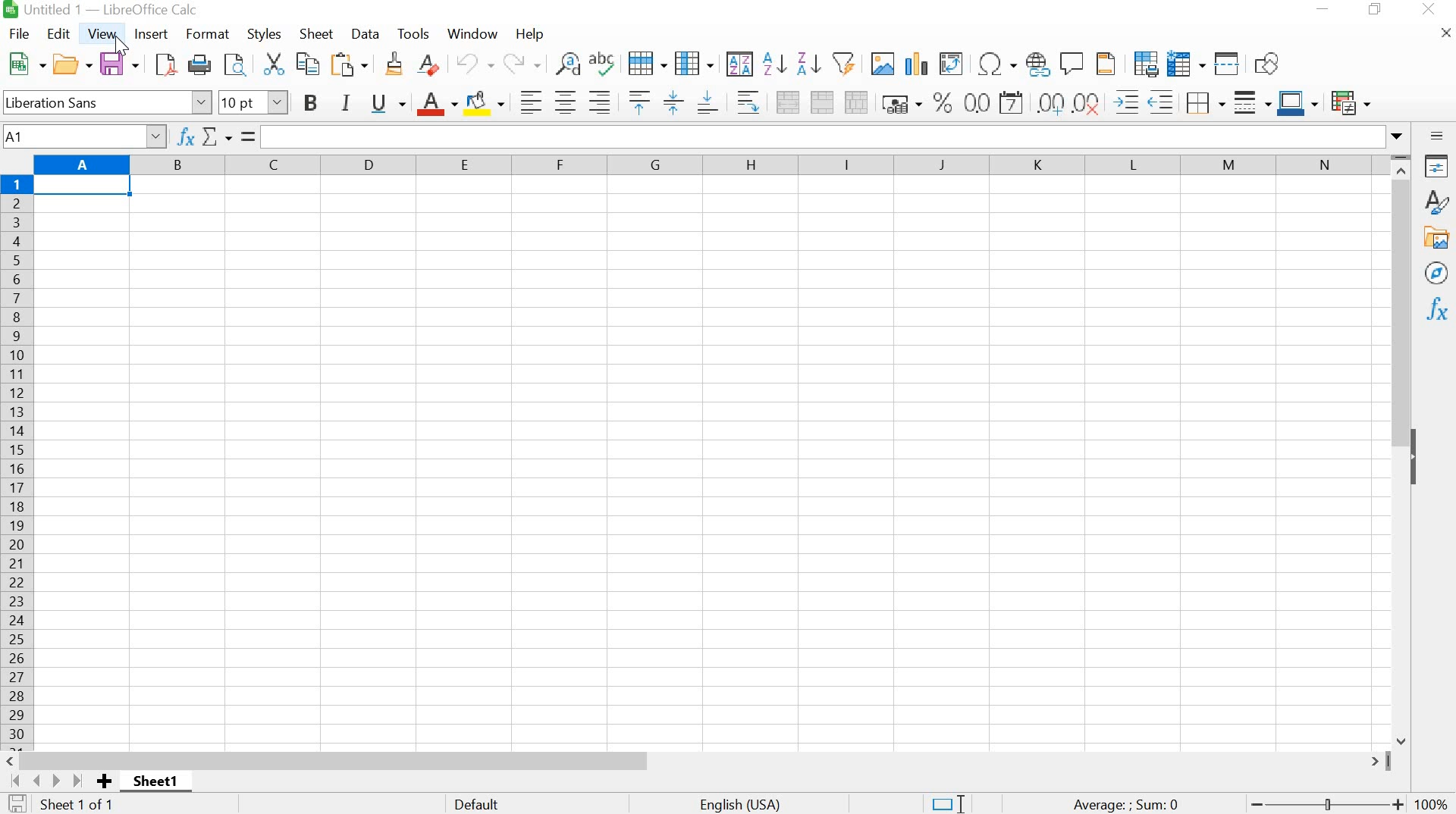 Image resolution: width=1456 pixels, height=814 pixels. What do you see at coordinates (85, 135) in the screenshot?
I see `NAME BOX` at bounding box center [85, 135].